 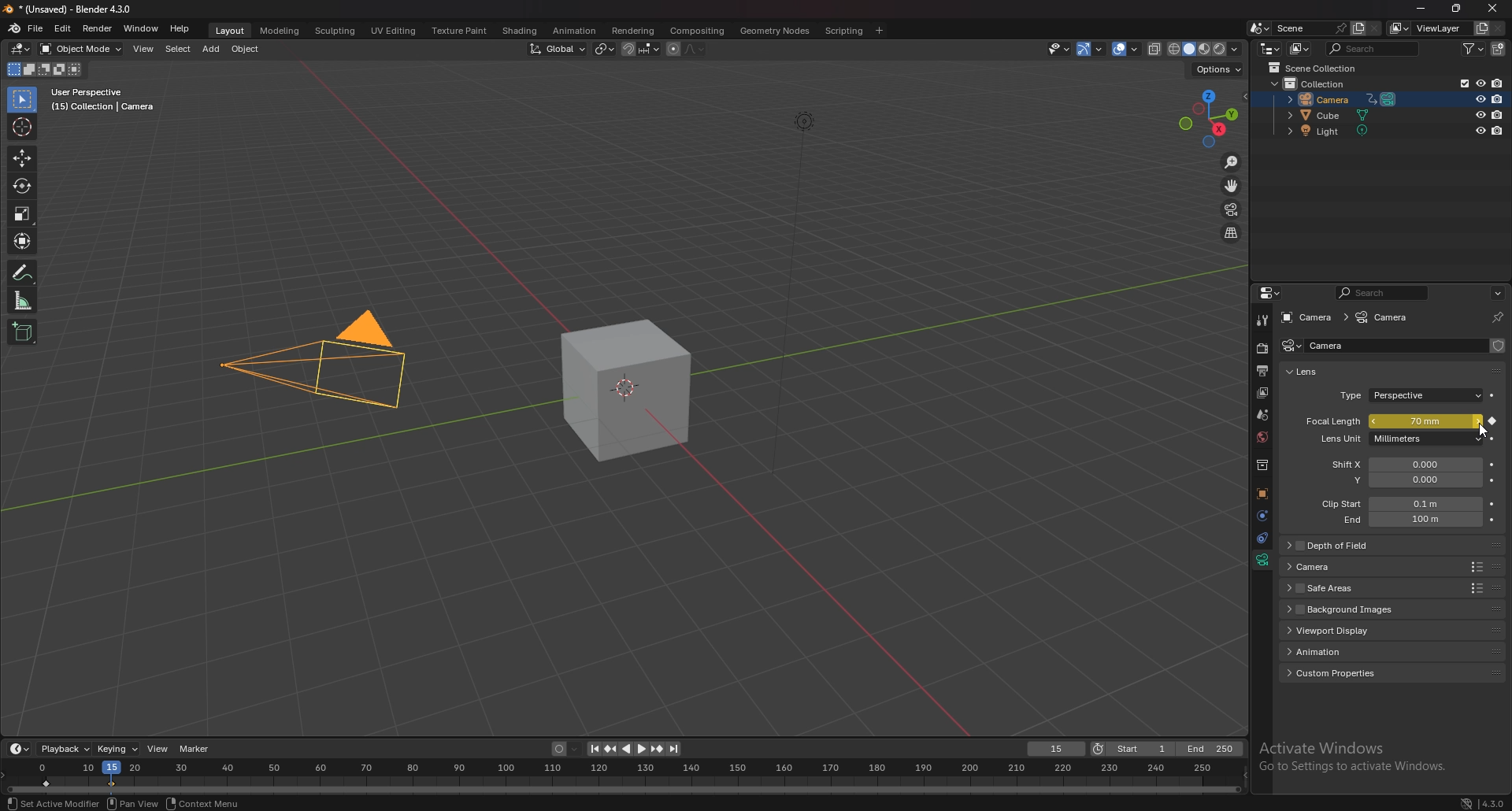 I want to click on rendering, so click(x=633, y=31).